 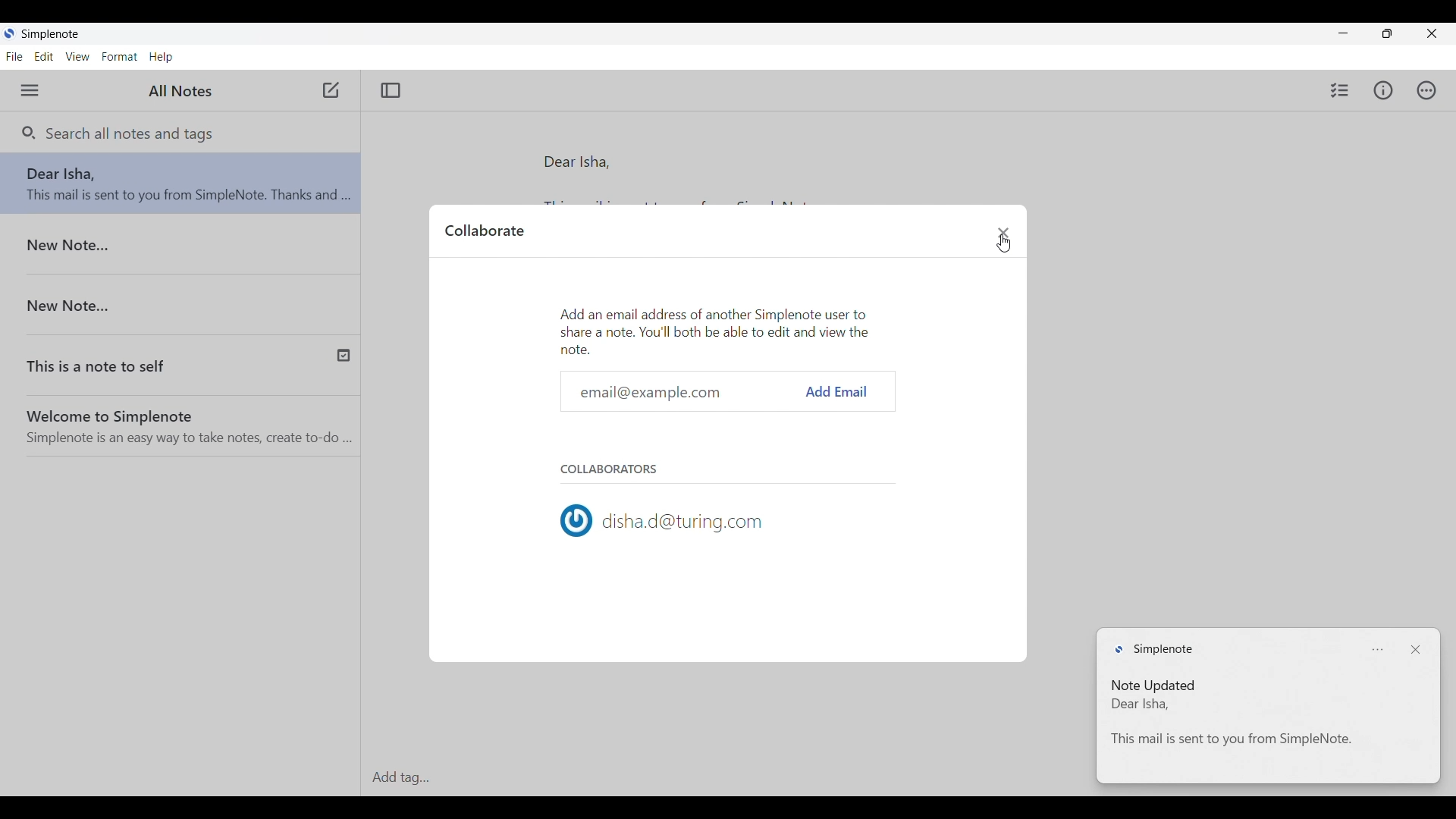 What do you see at coordinates (178, 92) in the screenshot?
I see `All Notes(Title of left side panel)` at bounding box center [178, 92].